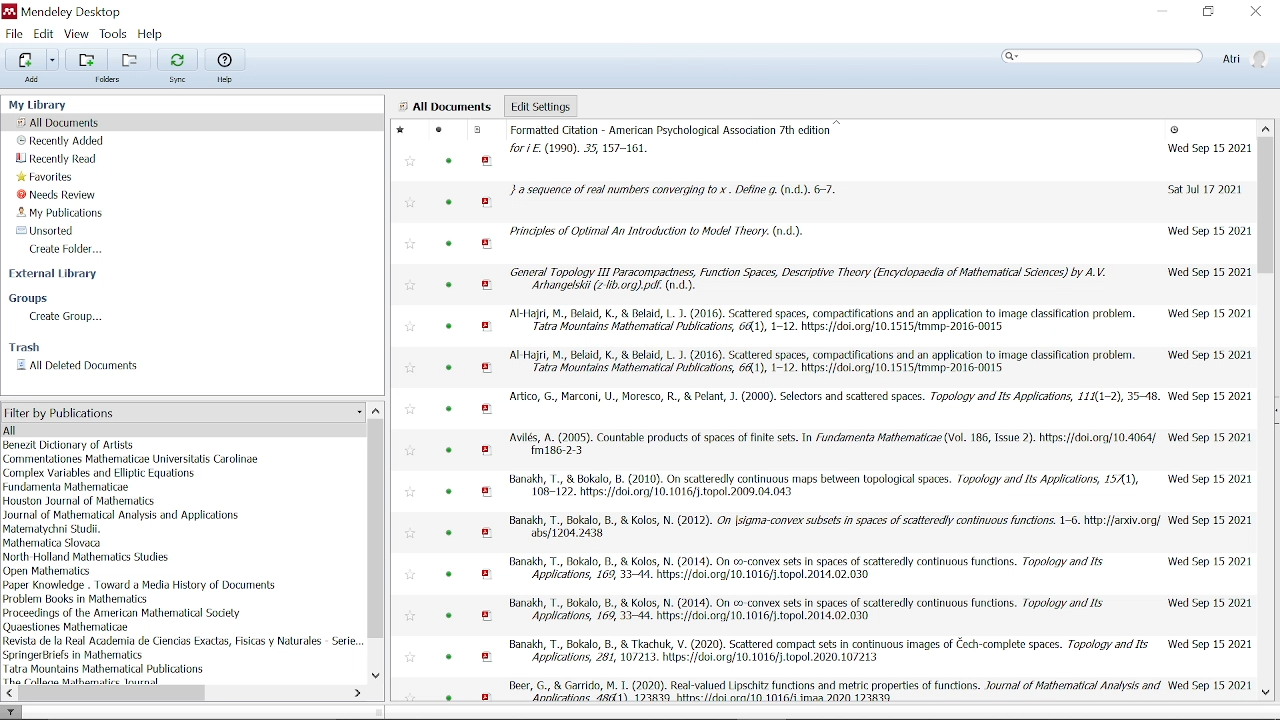  What do you see at coordinates (488, 202) in the screenshot?
I see `pdf` at bounding box center [488, 202].